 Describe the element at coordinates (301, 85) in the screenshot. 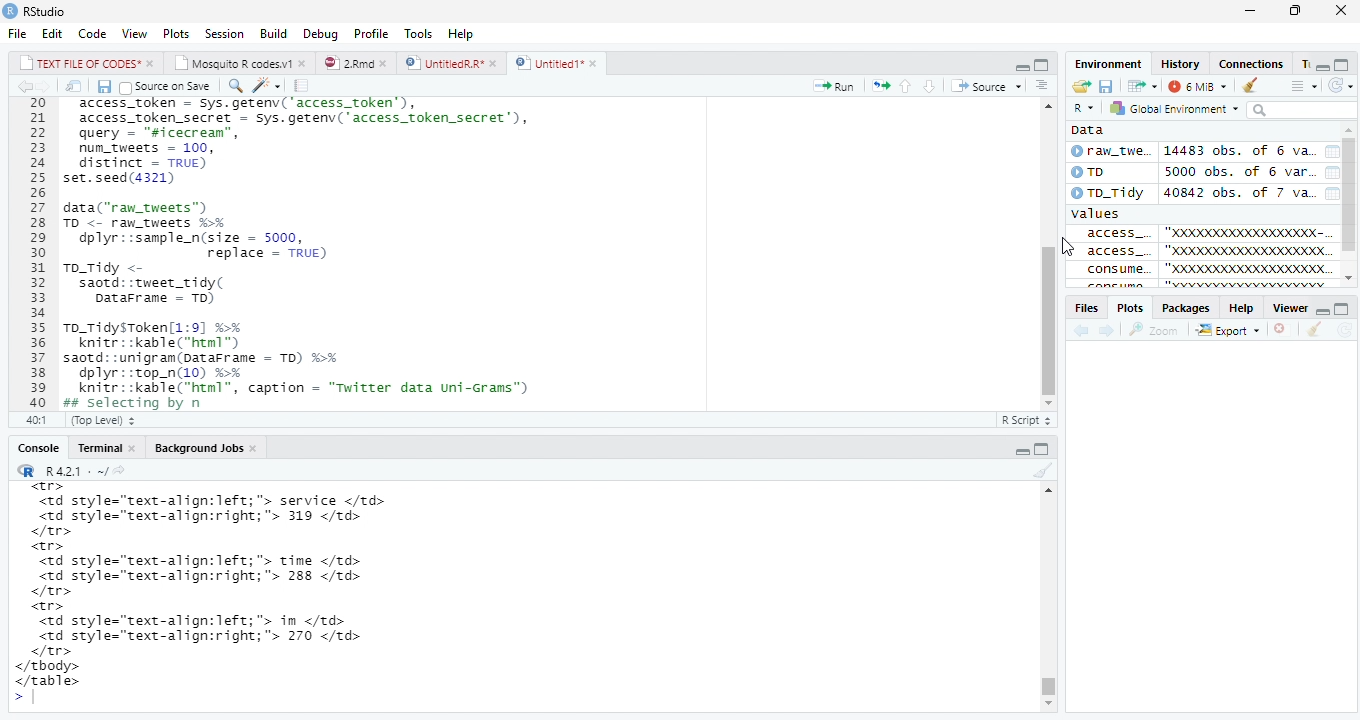

I see `compile report` at that location.